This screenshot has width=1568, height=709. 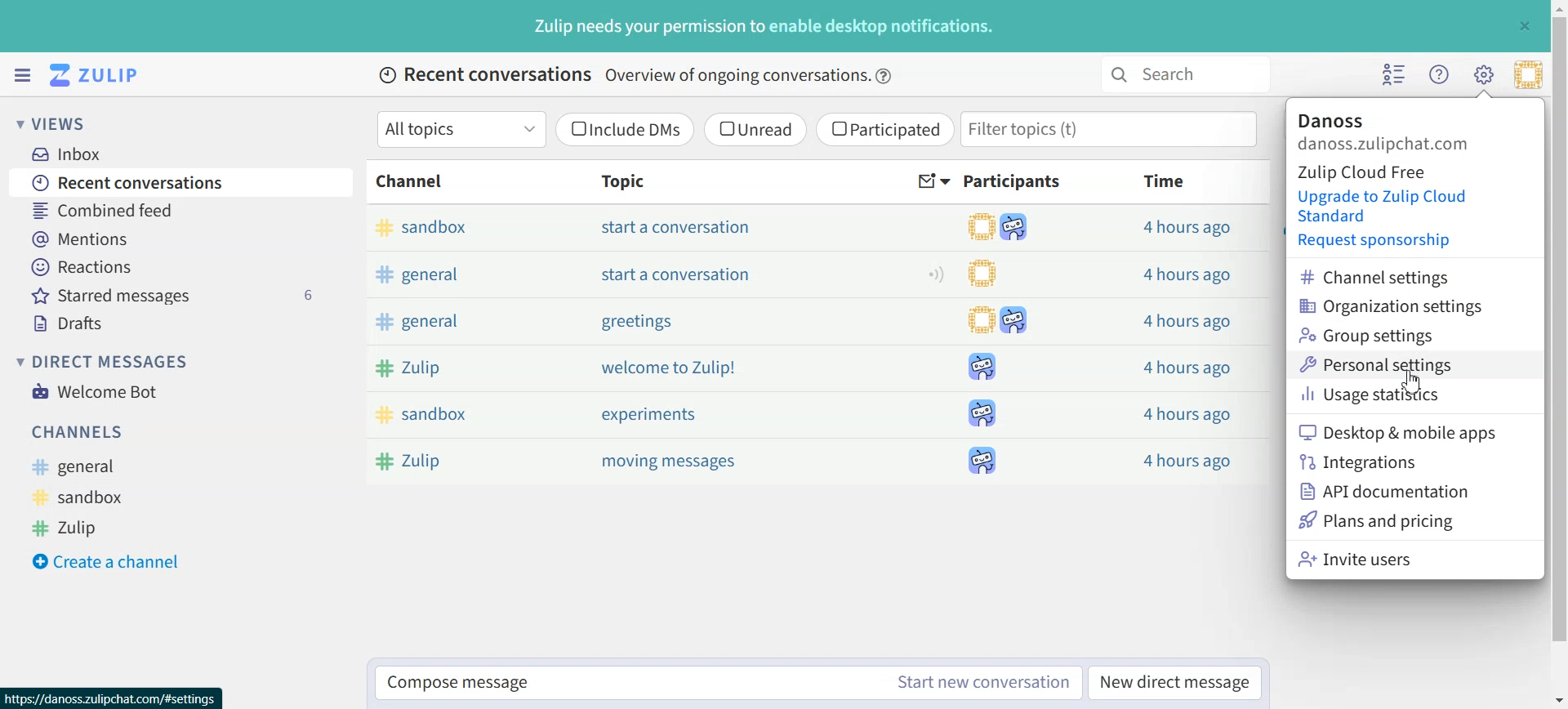 What do you see at coordinates (180, 209) in the screenshot?
I see `Combined Feed` at bounding box center [180, 209].